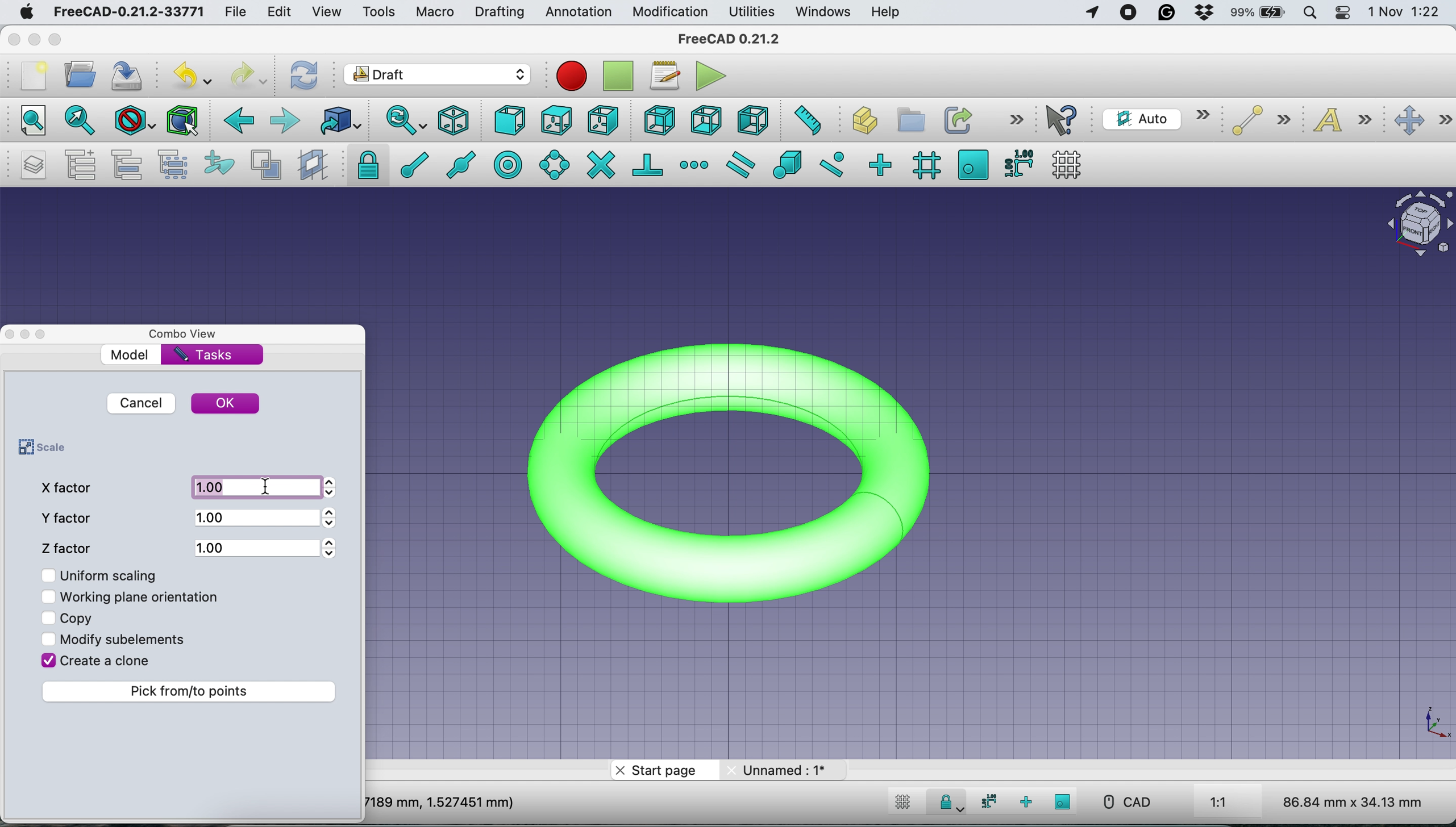  I want to click on fit all, so click(30, 122).